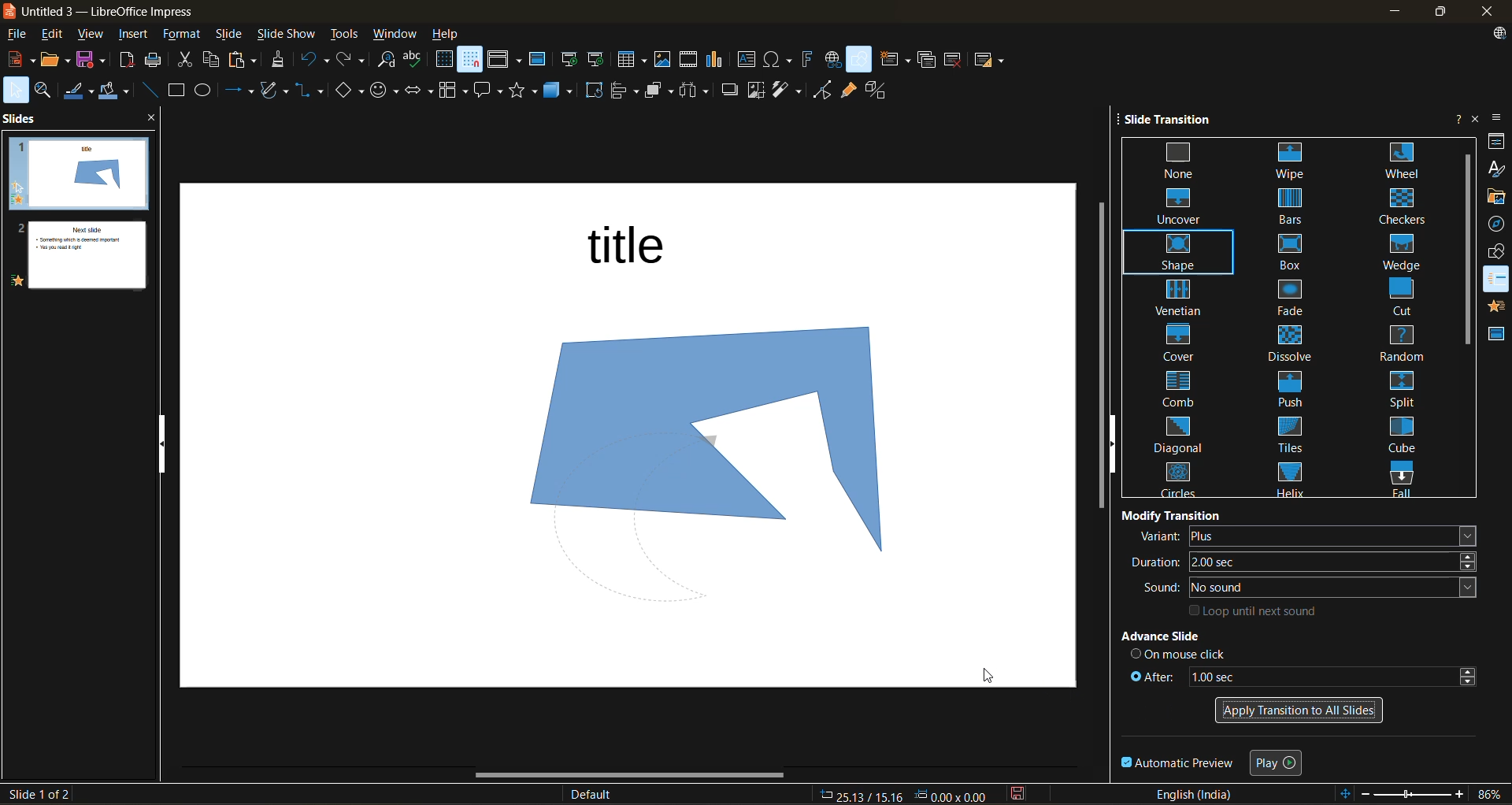 This screenshot has width=1512, height=805. Describe the element at coordinates (1306, 536) in the screenshot. I see `variant` at that location.